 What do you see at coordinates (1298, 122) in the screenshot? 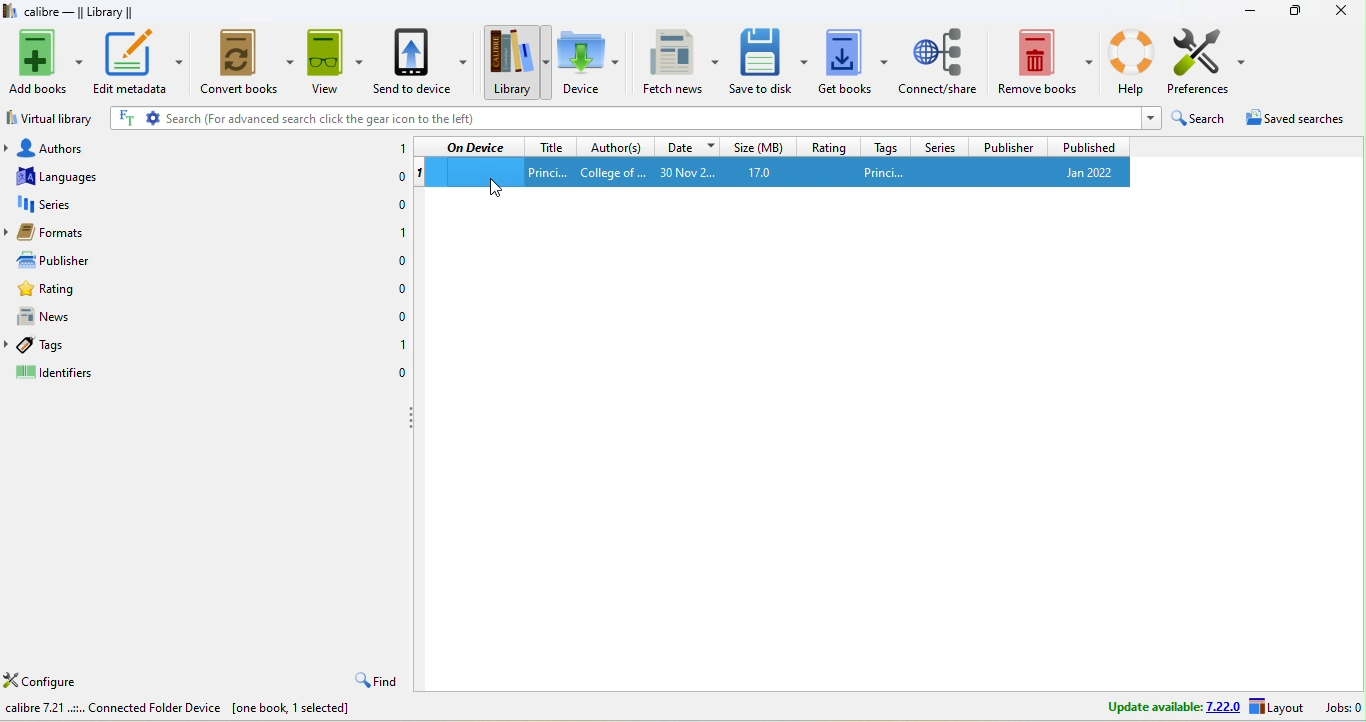
I see `saved searches` at bounding box center [1298, 122].